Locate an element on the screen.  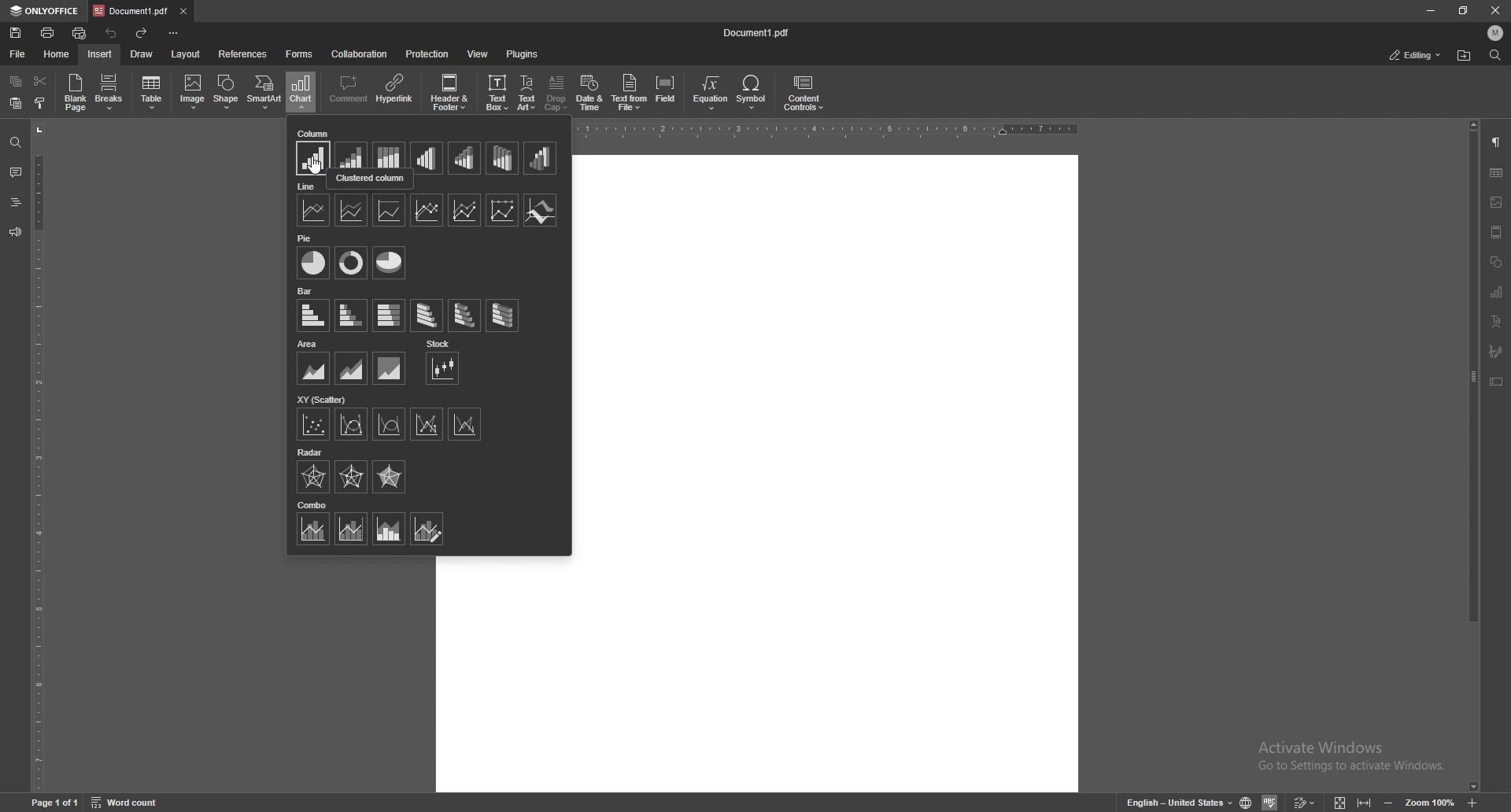
hyperlink is located at coordinates (395, 92).